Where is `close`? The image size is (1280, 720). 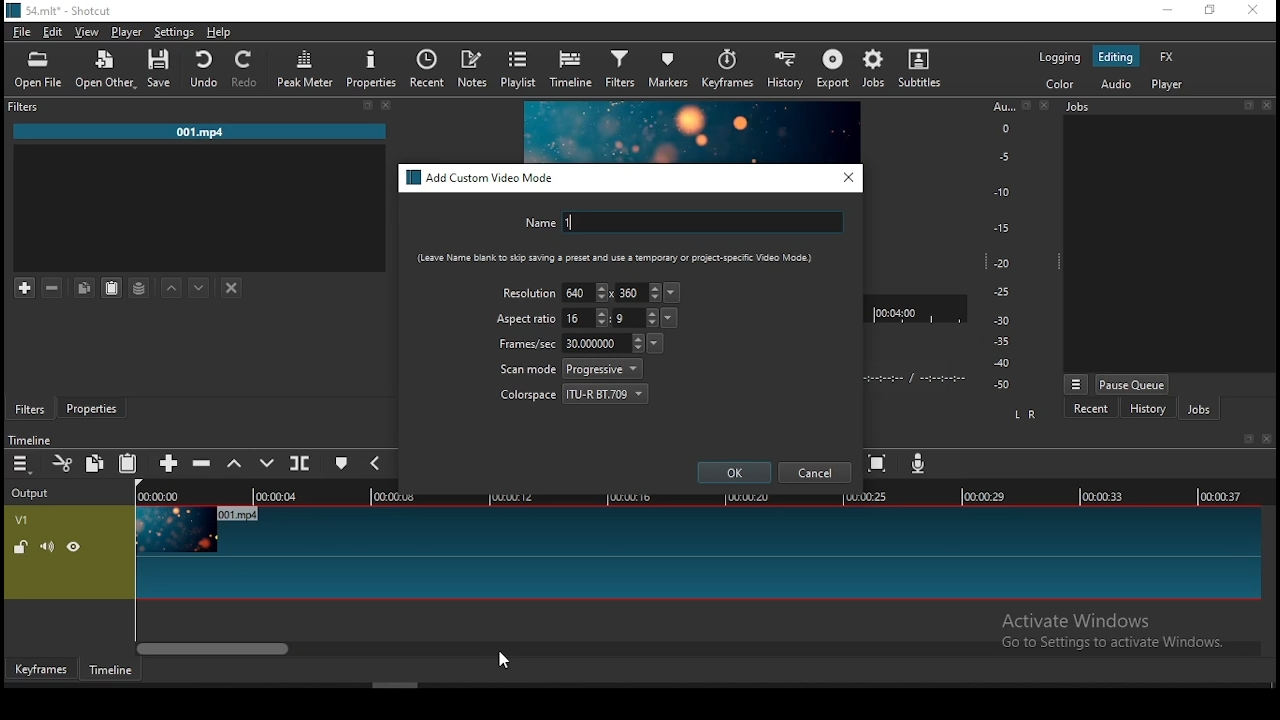 close is located at coordinates (1047, 105).